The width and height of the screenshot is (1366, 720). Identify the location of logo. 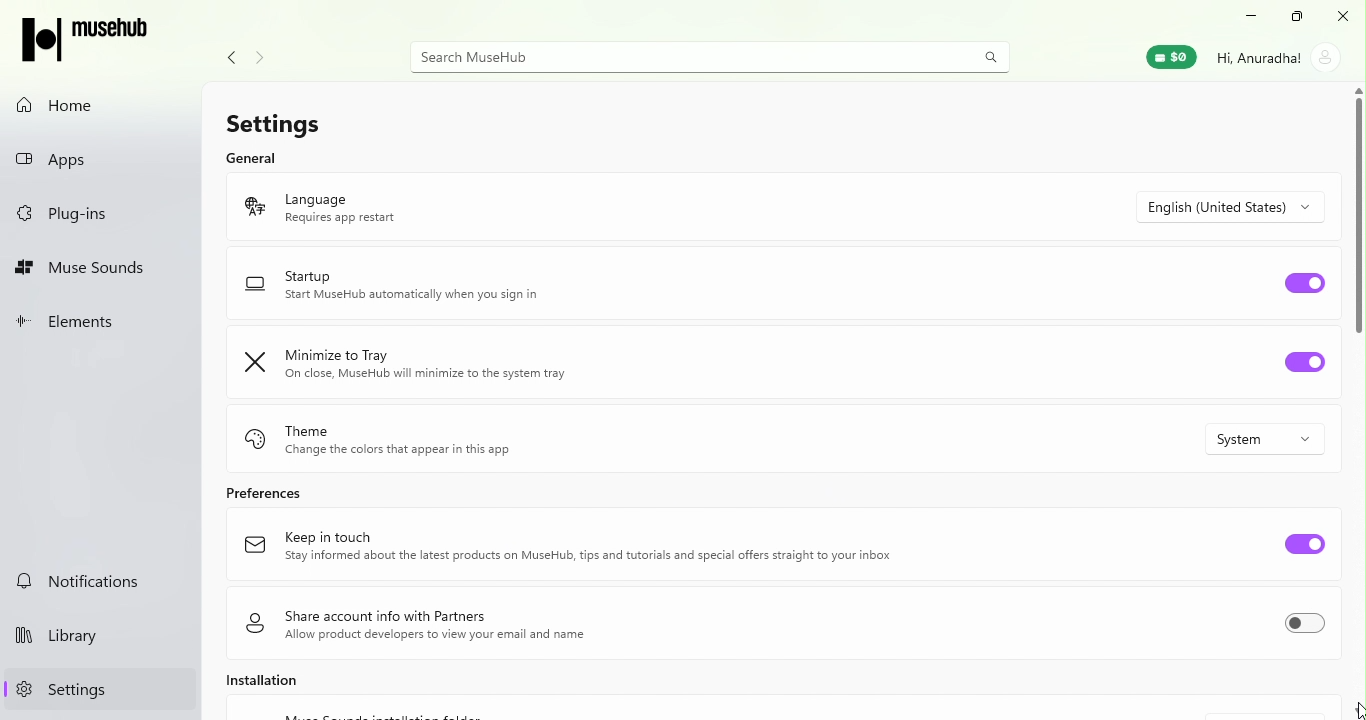
(250, 440).